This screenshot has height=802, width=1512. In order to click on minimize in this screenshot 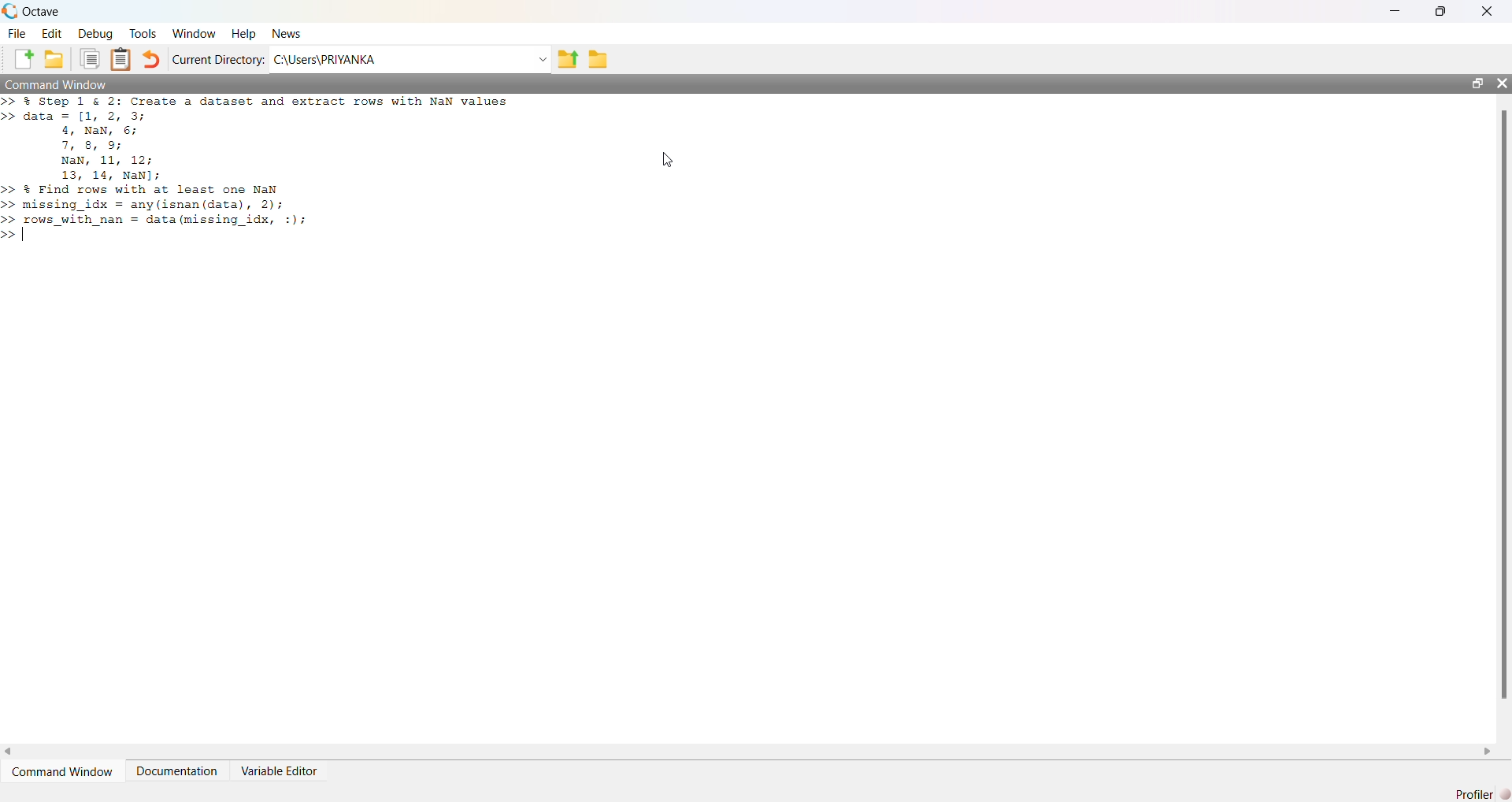, I will do `click(1395, 11)`.